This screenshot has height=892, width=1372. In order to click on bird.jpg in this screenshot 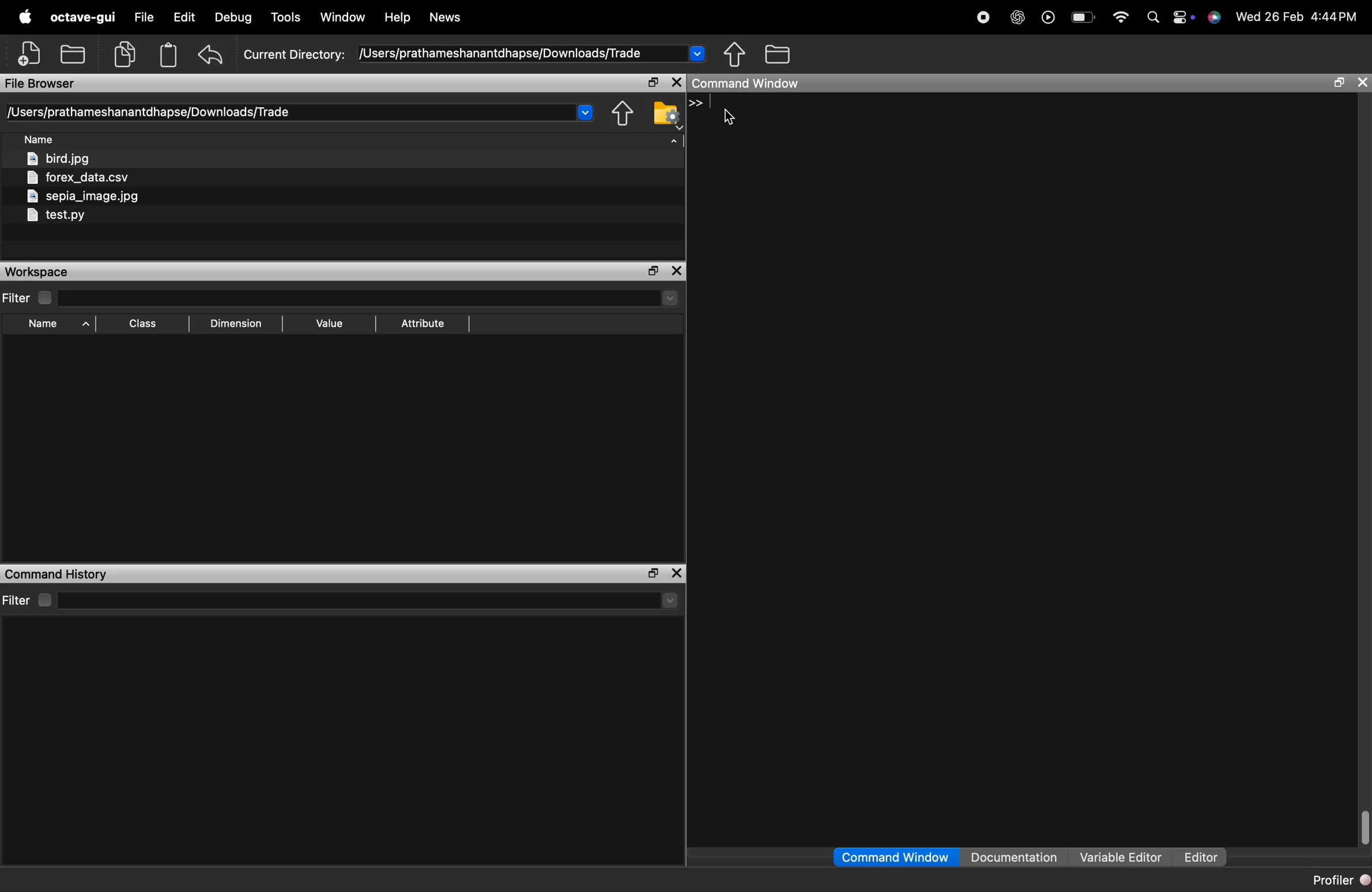, I will do `click(59, 158)`.